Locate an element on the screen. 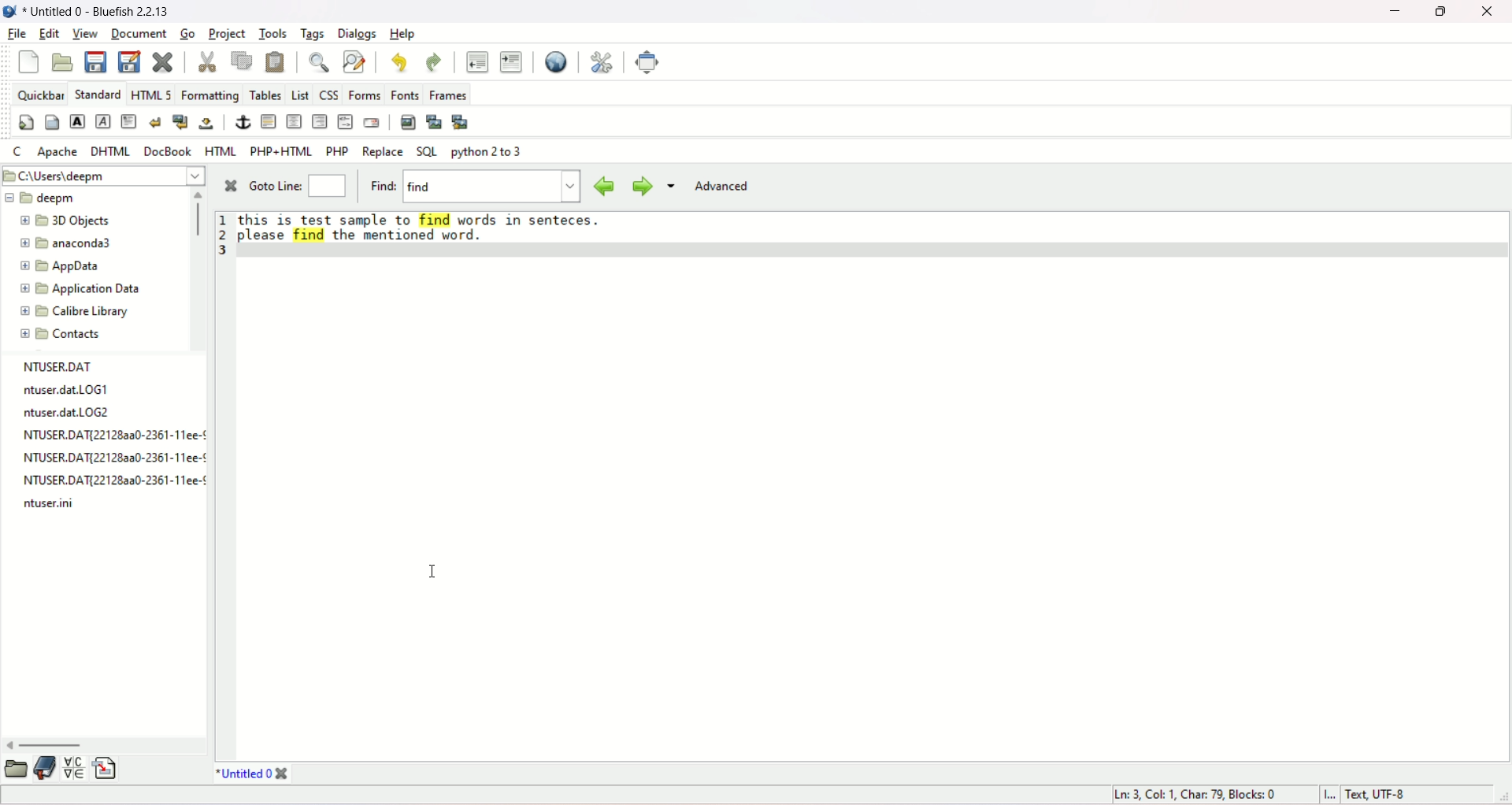 This screenshot has width=1512, height=805. cursor is located at coordinates (432, 572).